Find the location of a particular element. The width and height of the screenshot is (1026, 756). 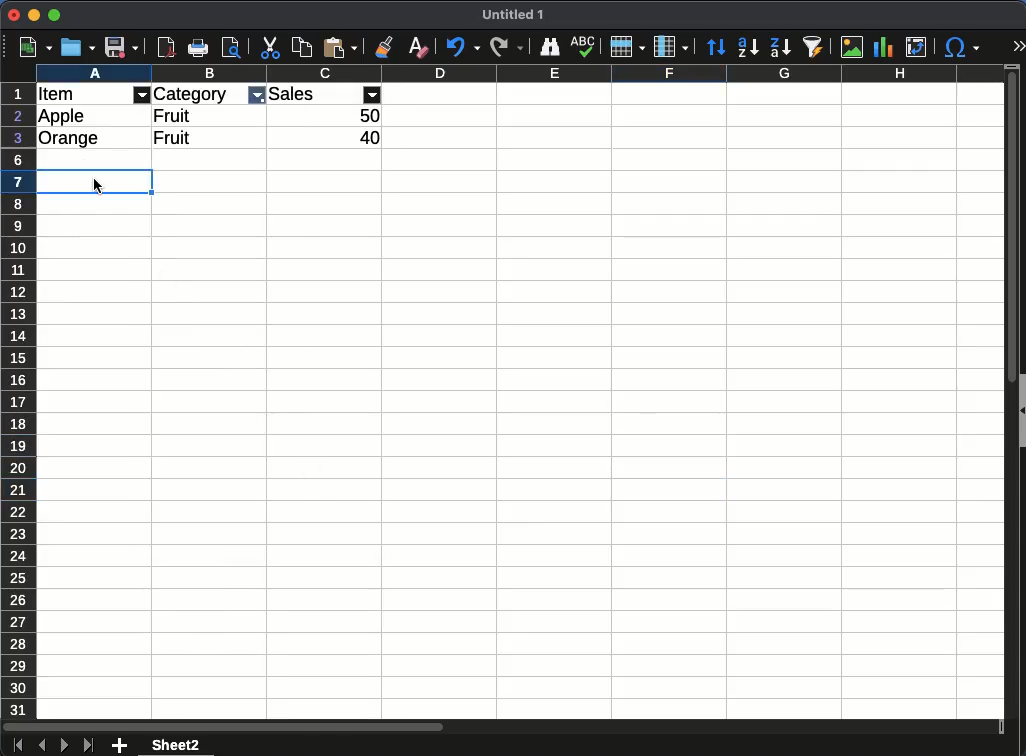

Untitled 1 - name is located at coordinates (513, 15).